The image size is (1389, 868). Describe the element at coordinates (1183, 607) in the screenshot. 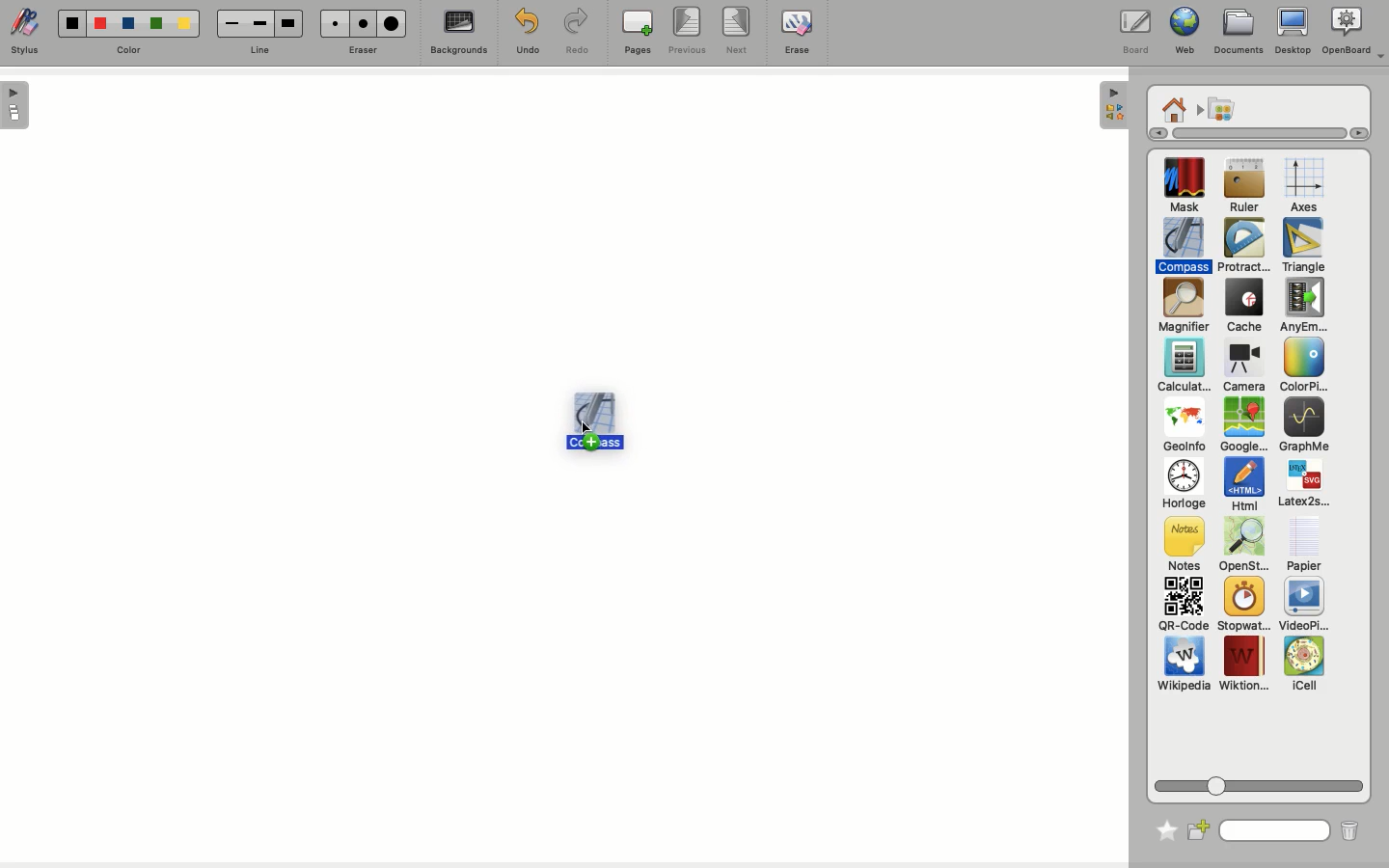

I see `QR code` at that location.